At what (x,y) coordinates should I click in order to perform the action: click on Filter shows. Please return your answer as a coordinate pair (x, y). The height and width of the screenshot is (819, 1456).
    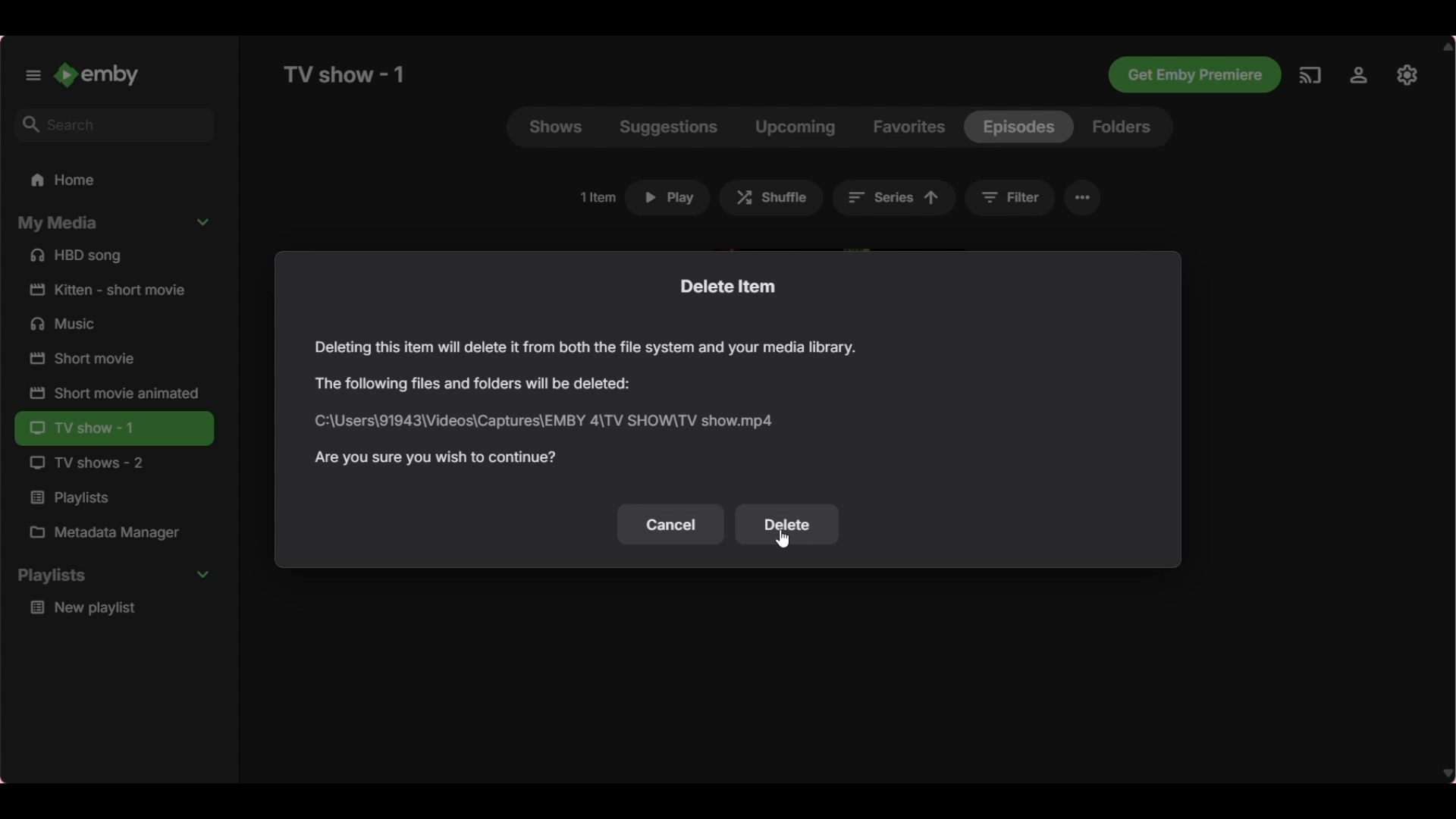
    Looking at the image, I should click on (1012, 198).